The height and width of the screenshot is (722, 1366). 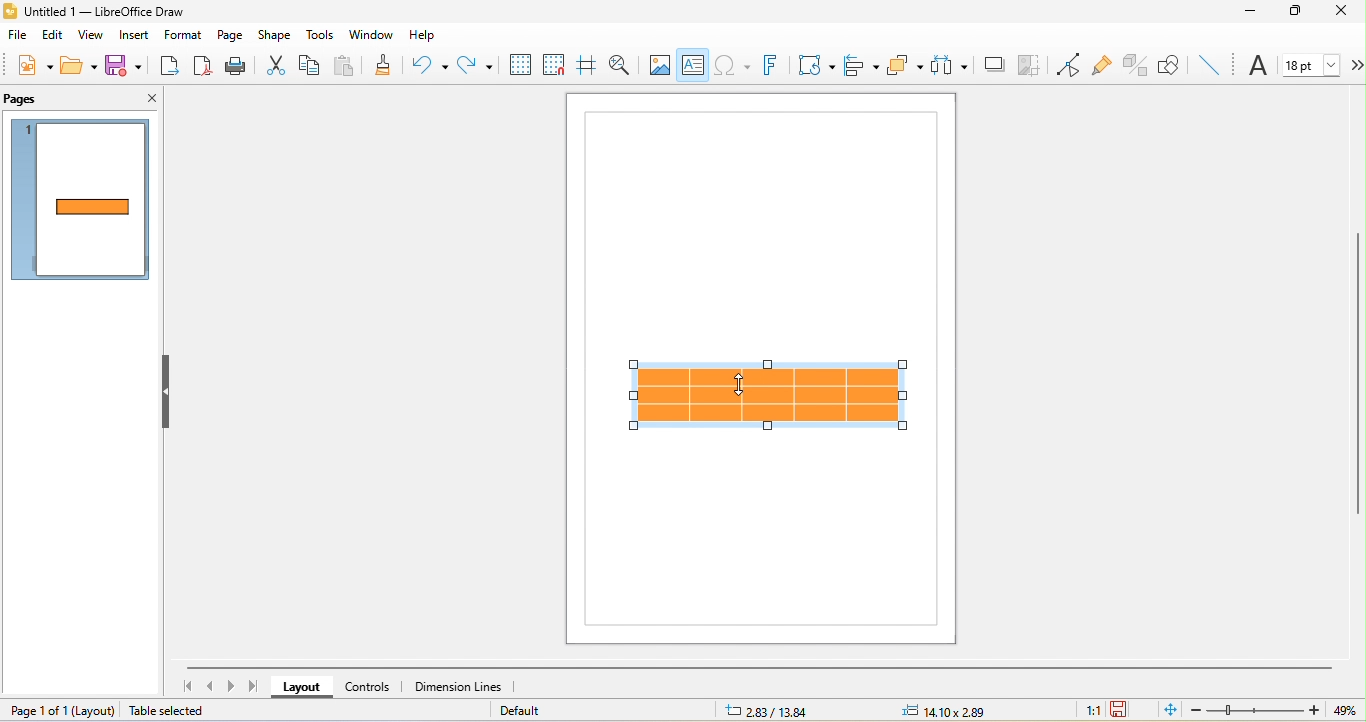 I want to click on page1, so click(x=82, y=202).